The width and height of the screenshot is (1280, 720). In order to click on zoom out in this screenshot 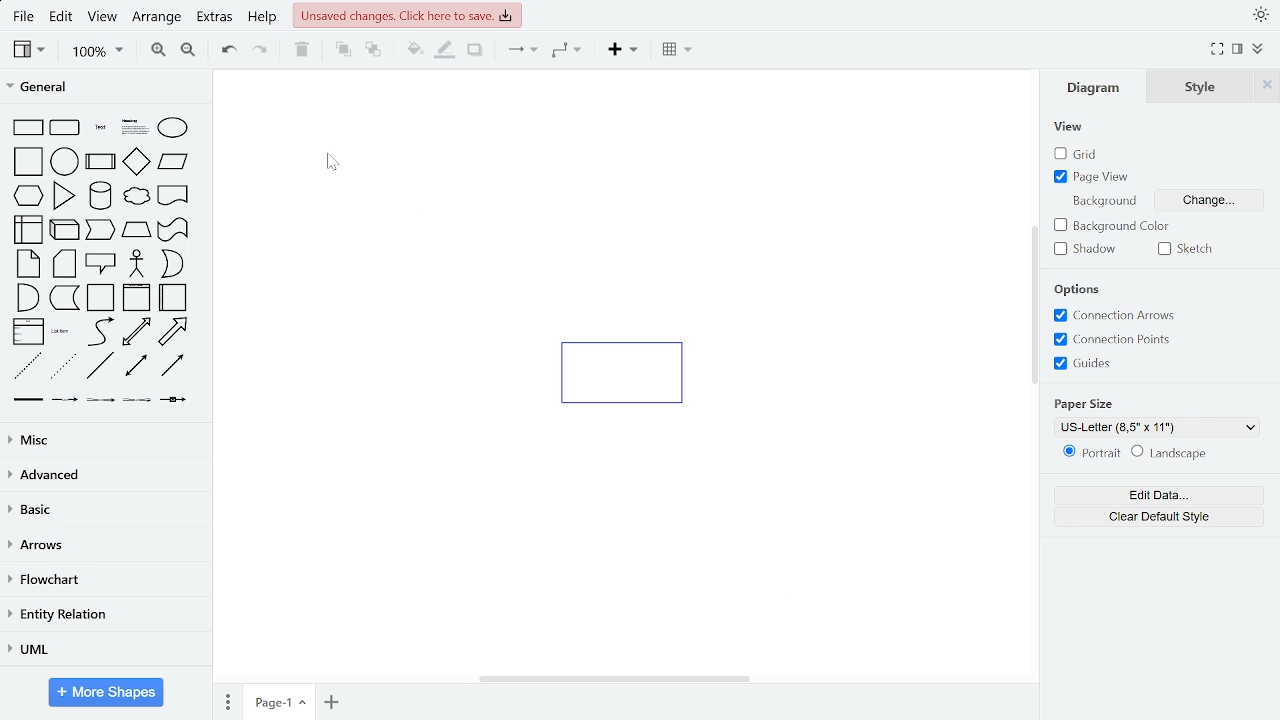, I will do `click(190, 53)`.